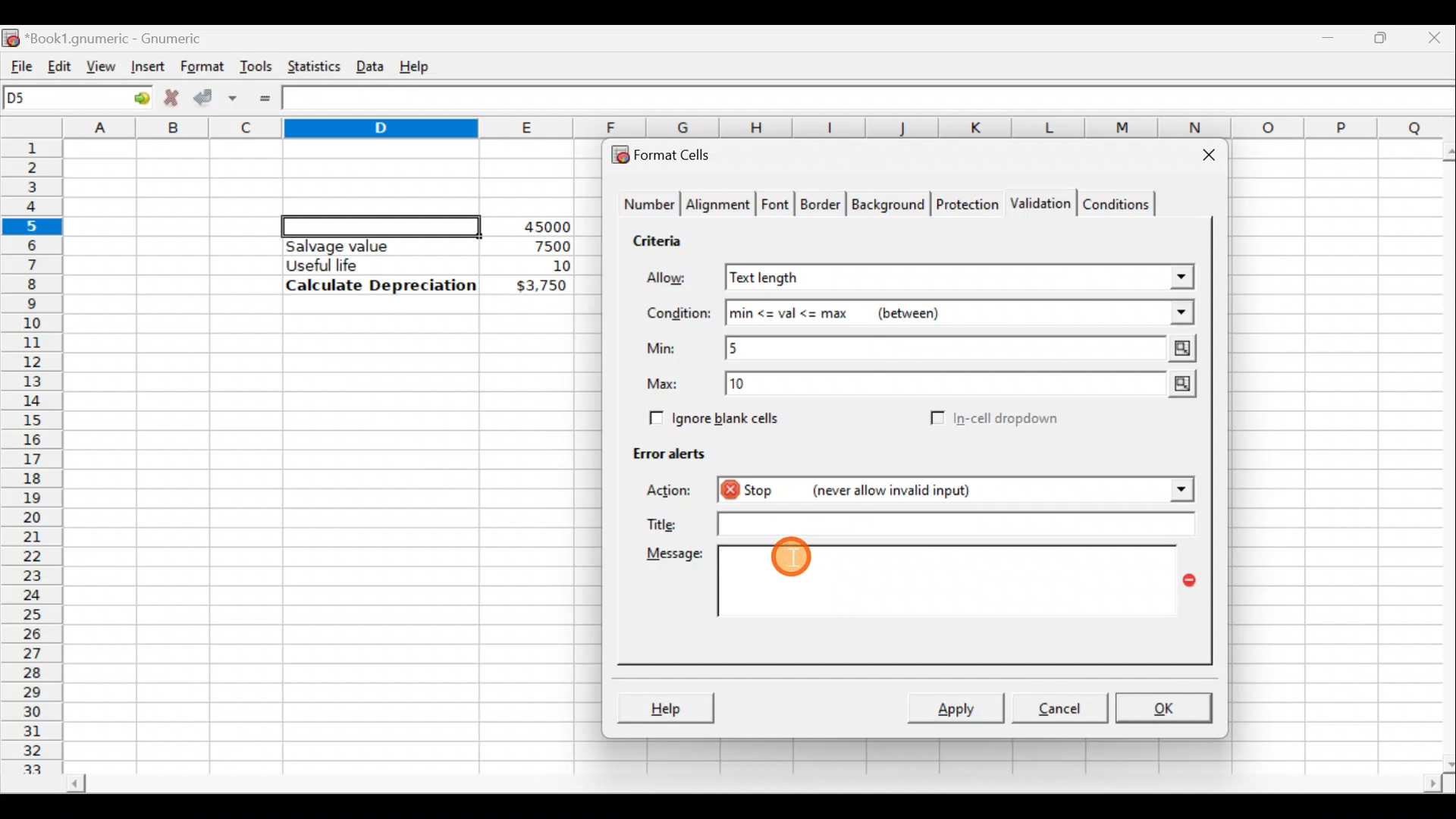 The image size is (1456, 819). I want to click on Enter formula, so click(265, 99).